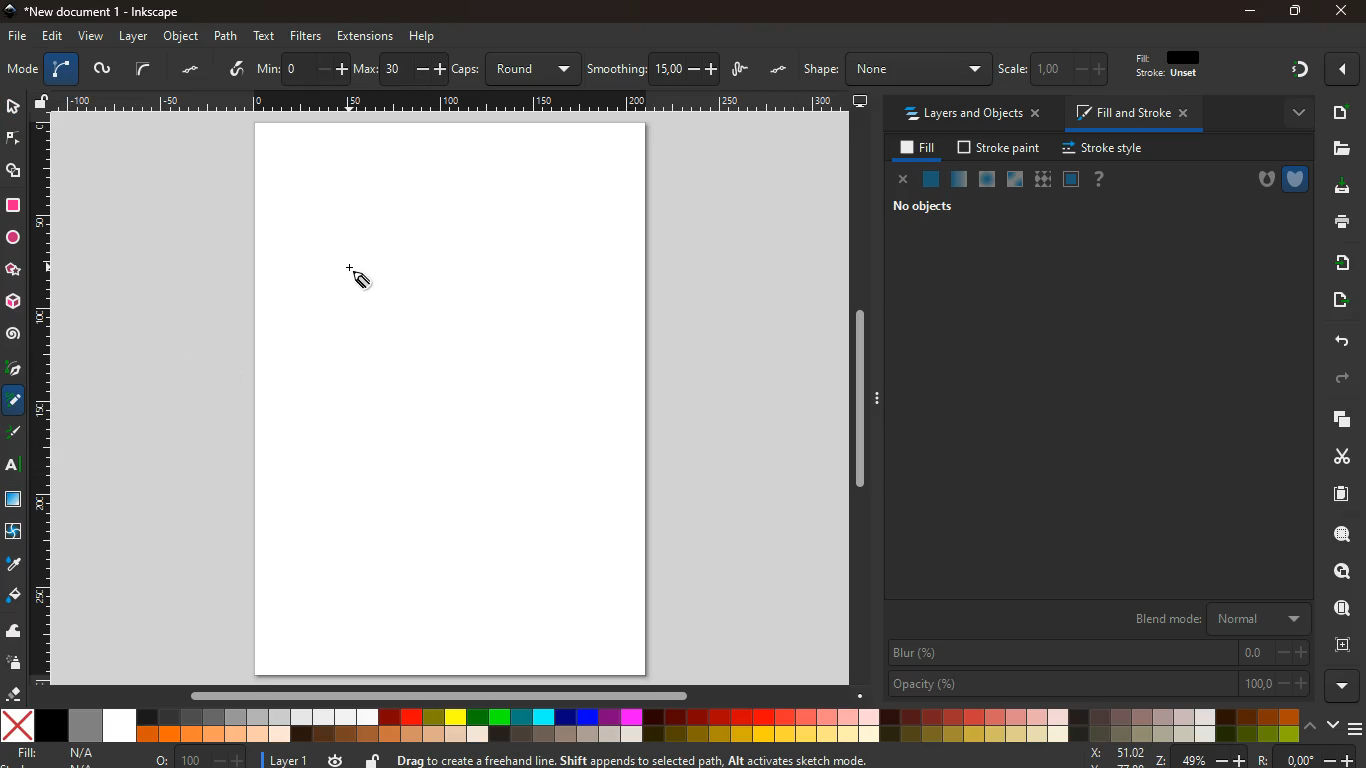 This screenshot has height=768, width=1366. I want to click on edit, so click(1060, 69).